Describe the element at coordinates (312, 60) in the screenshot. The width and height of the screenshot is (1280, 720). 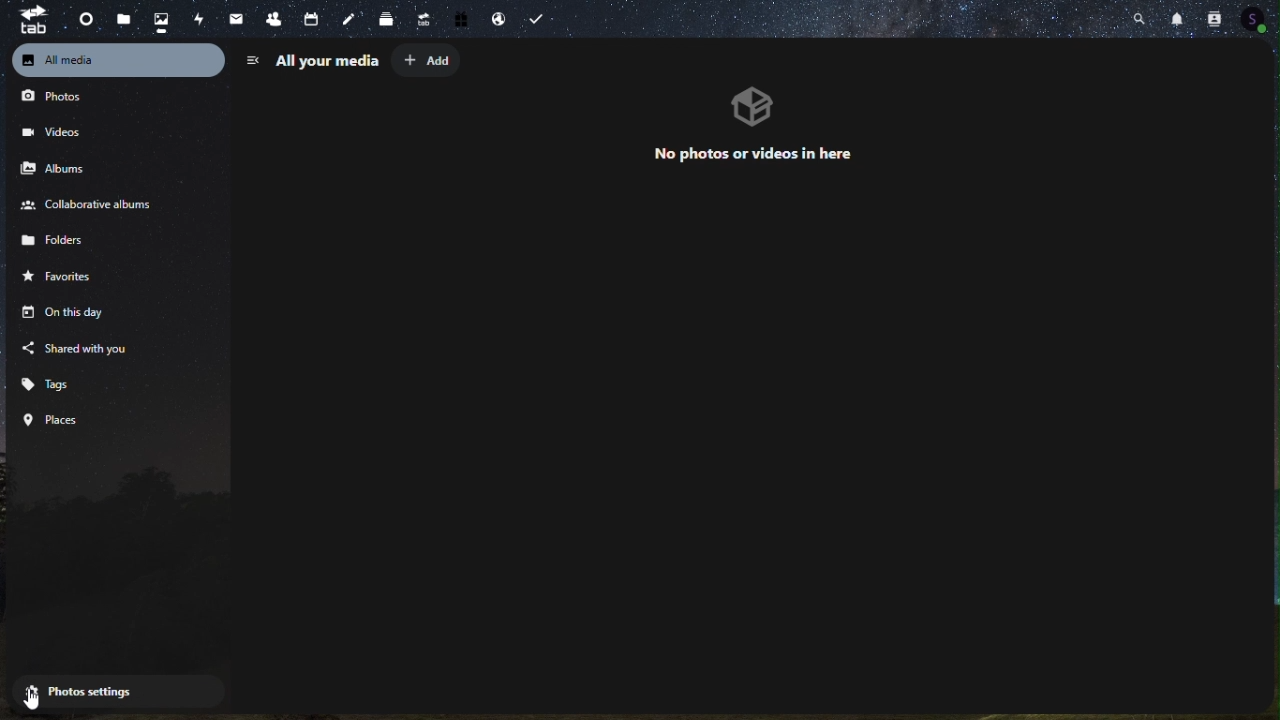
I see `All your media` at that location.